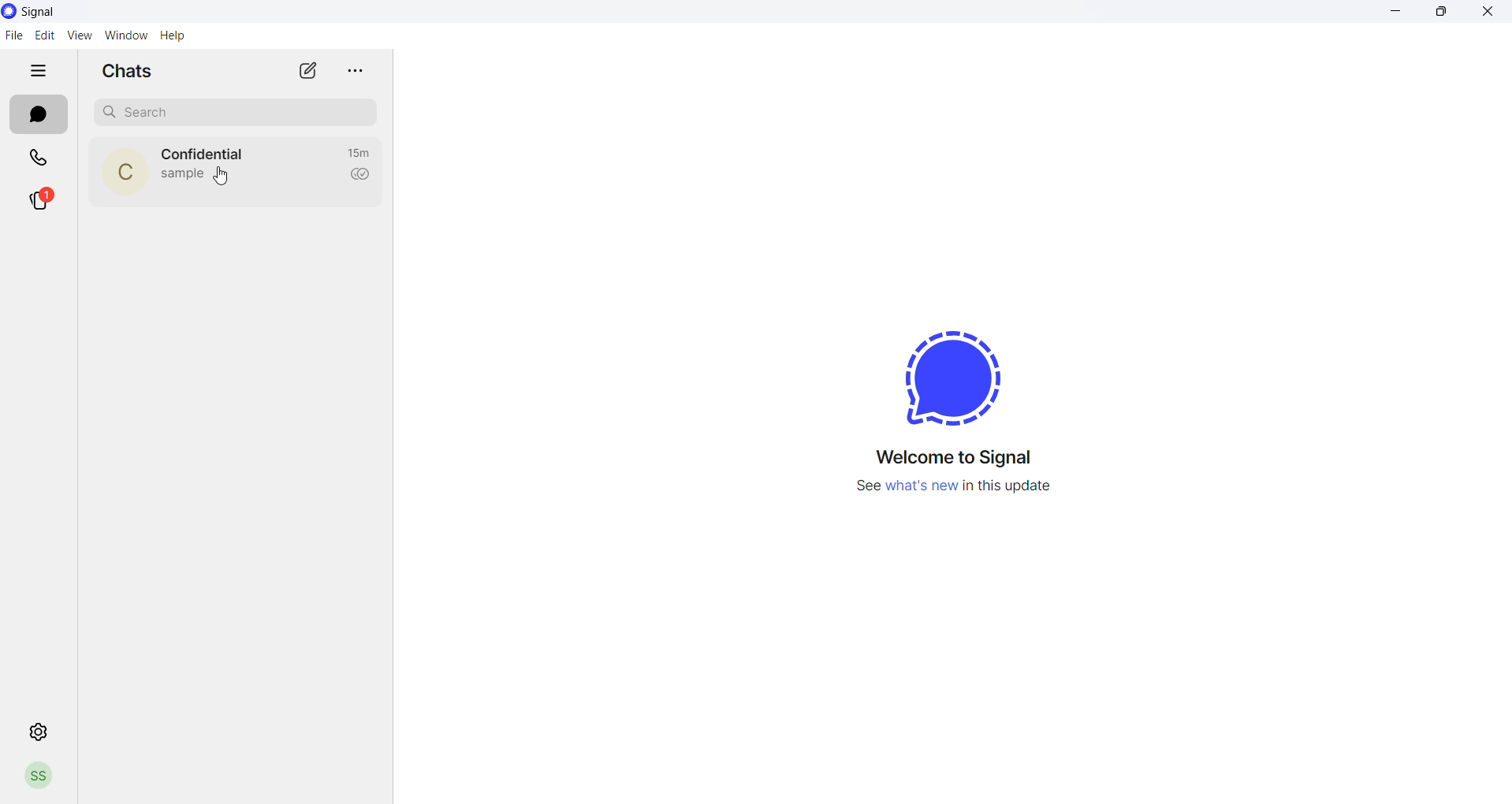  Describe the element at coordinates (40, 13) in the screenshot. I see `signal` at that location.